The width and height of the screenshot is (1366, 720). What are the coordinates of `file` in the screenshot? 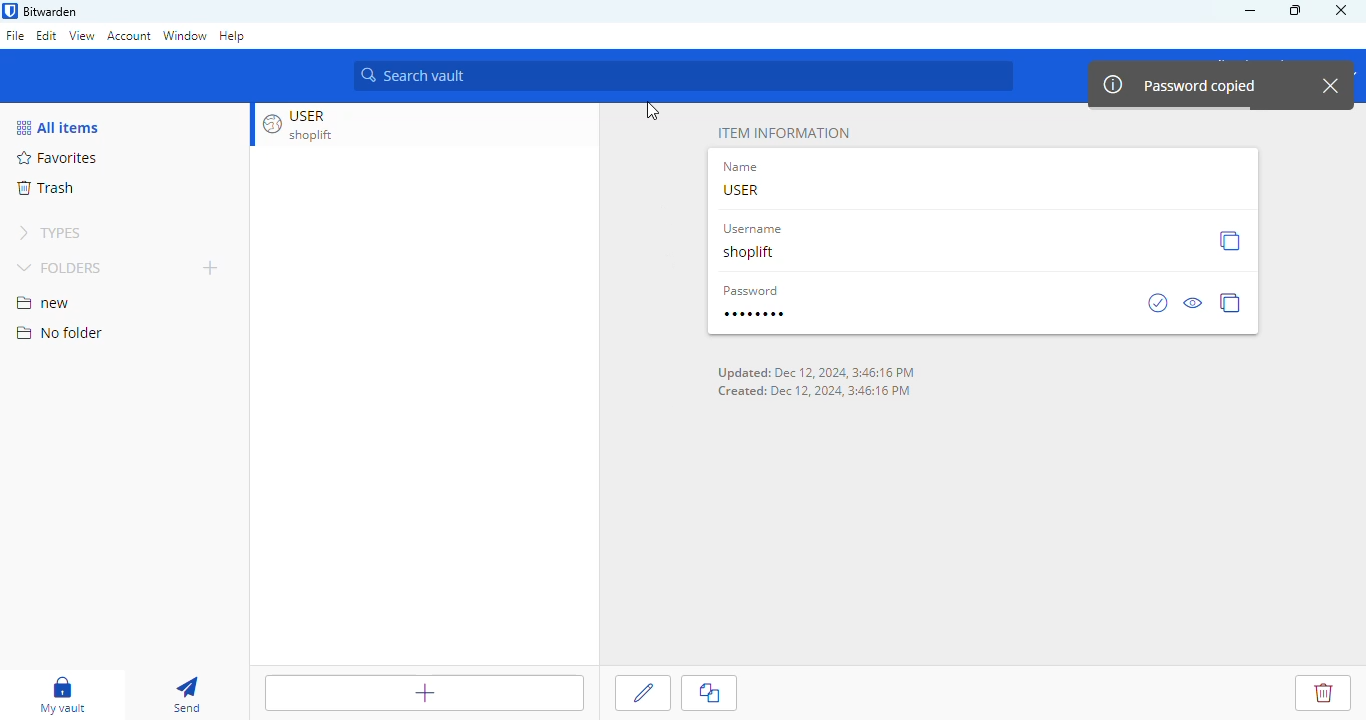 It's located at (15, 36).